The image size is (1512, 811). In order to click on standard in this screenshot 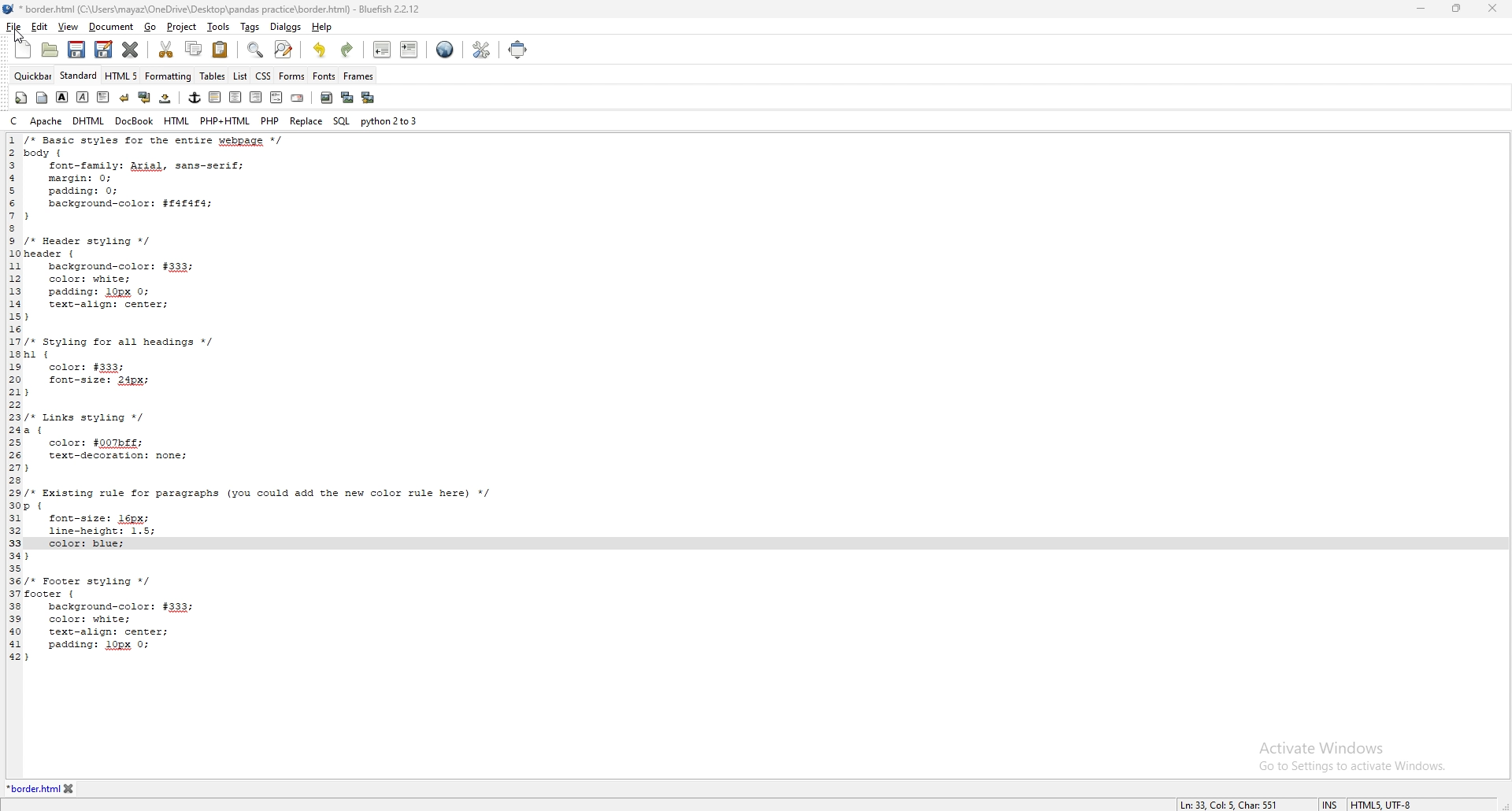, I will do `click(78, 76)`.